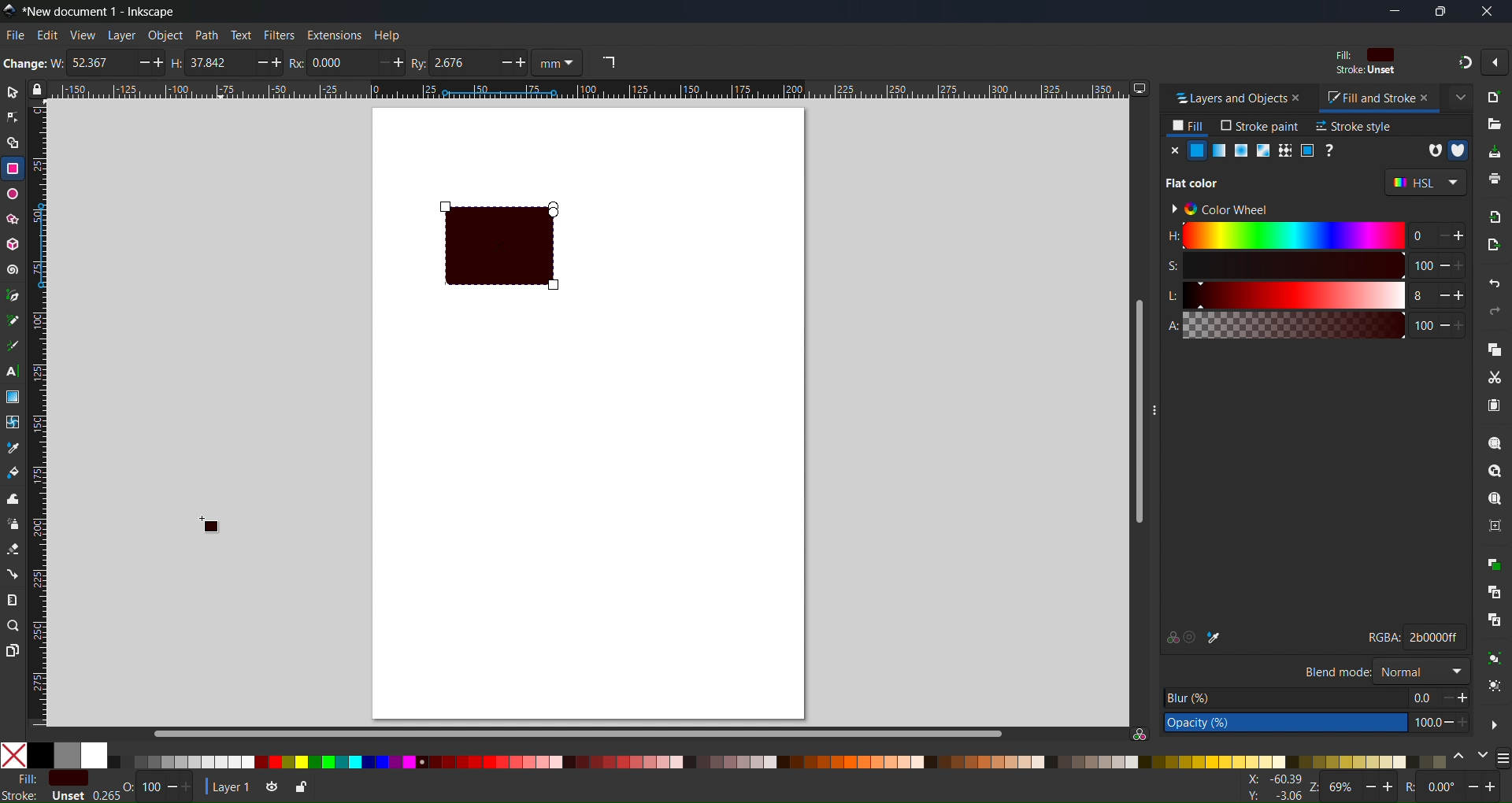  What do you see at coordinates (1425, 97) in the screenshot?
I see `close` at bounding box center [1425, 97].